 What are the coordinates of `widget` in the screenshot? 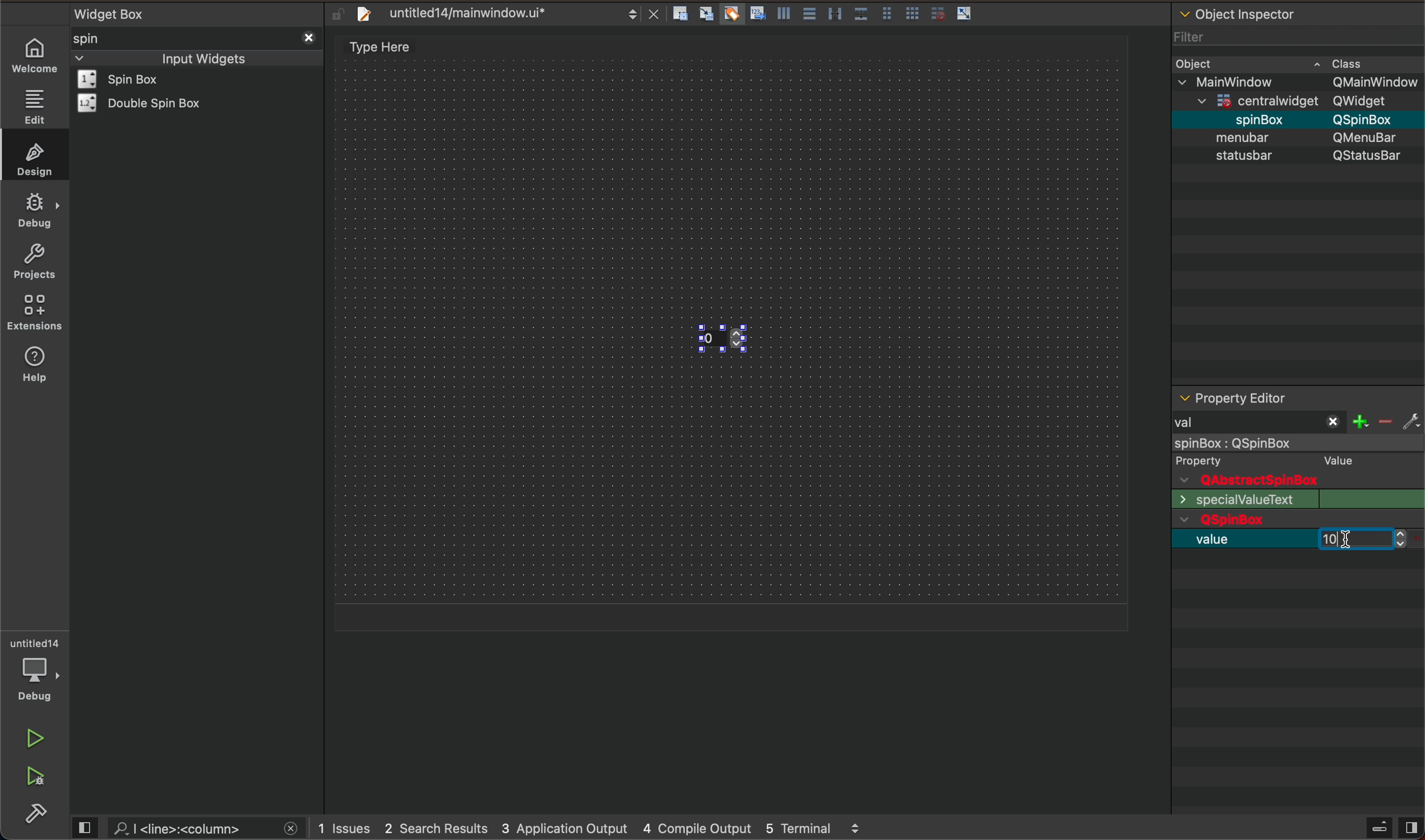 It's located at (146, 103).